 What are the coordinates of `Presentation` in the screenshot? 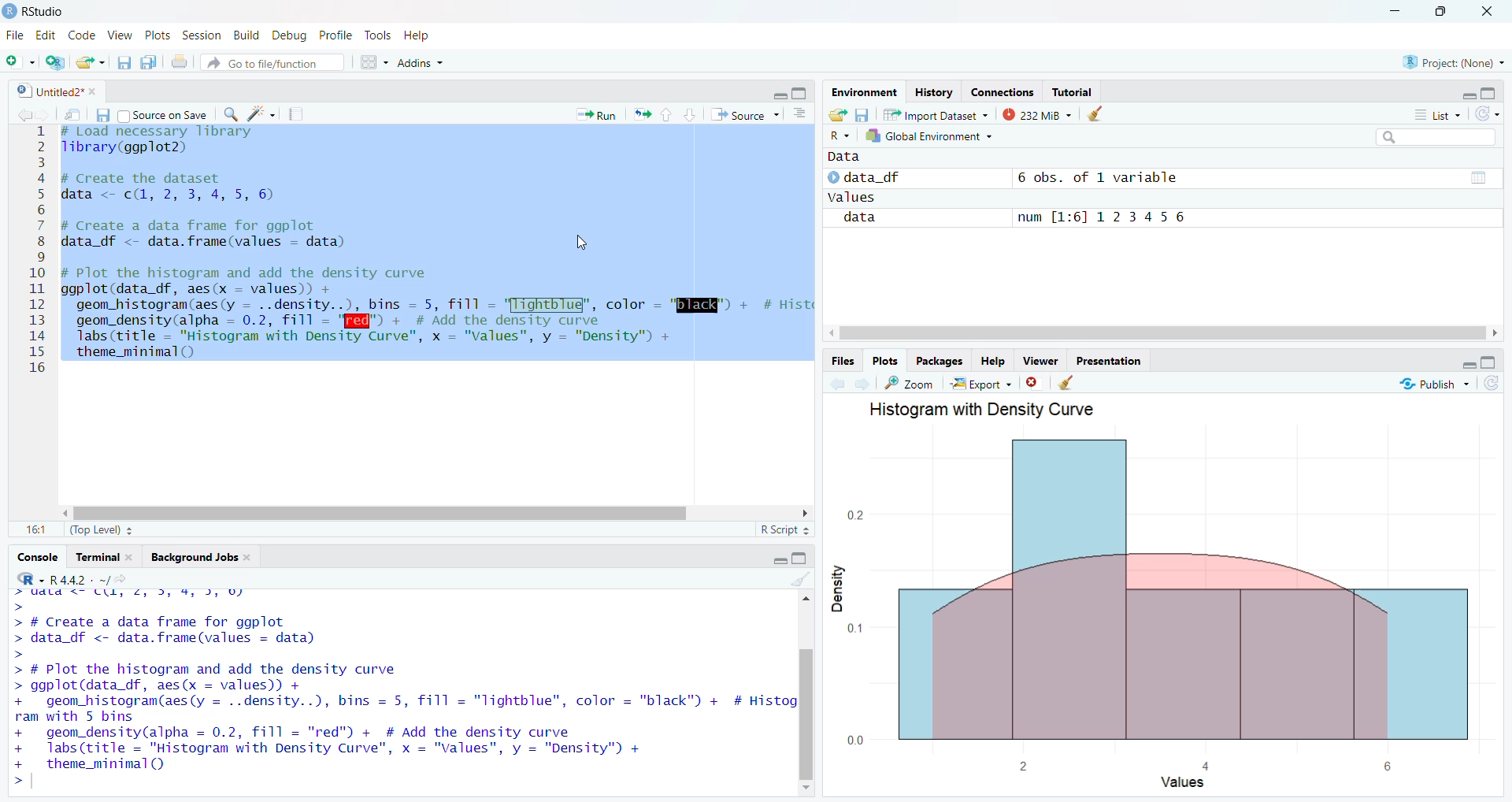 It's located at (1110, 360).